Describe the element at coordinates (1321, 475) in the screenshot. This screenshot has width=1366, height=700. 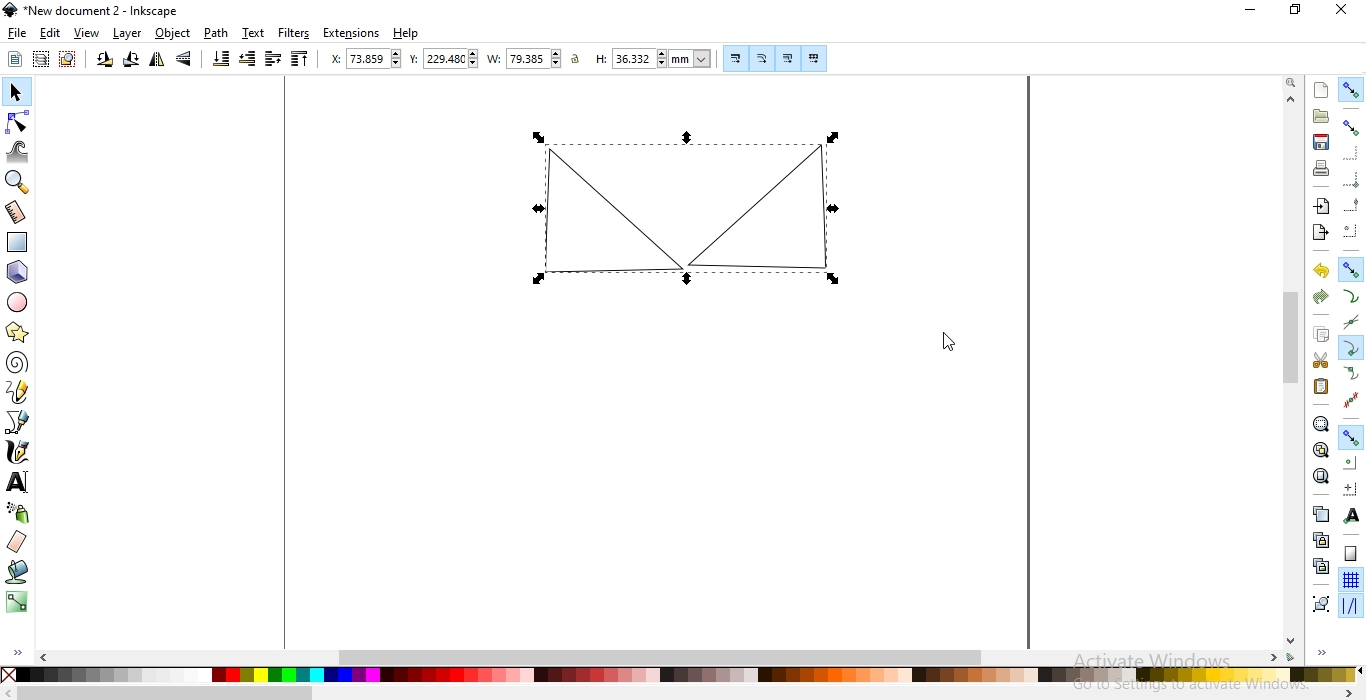
I see `zoom to fit page in window` at that location.